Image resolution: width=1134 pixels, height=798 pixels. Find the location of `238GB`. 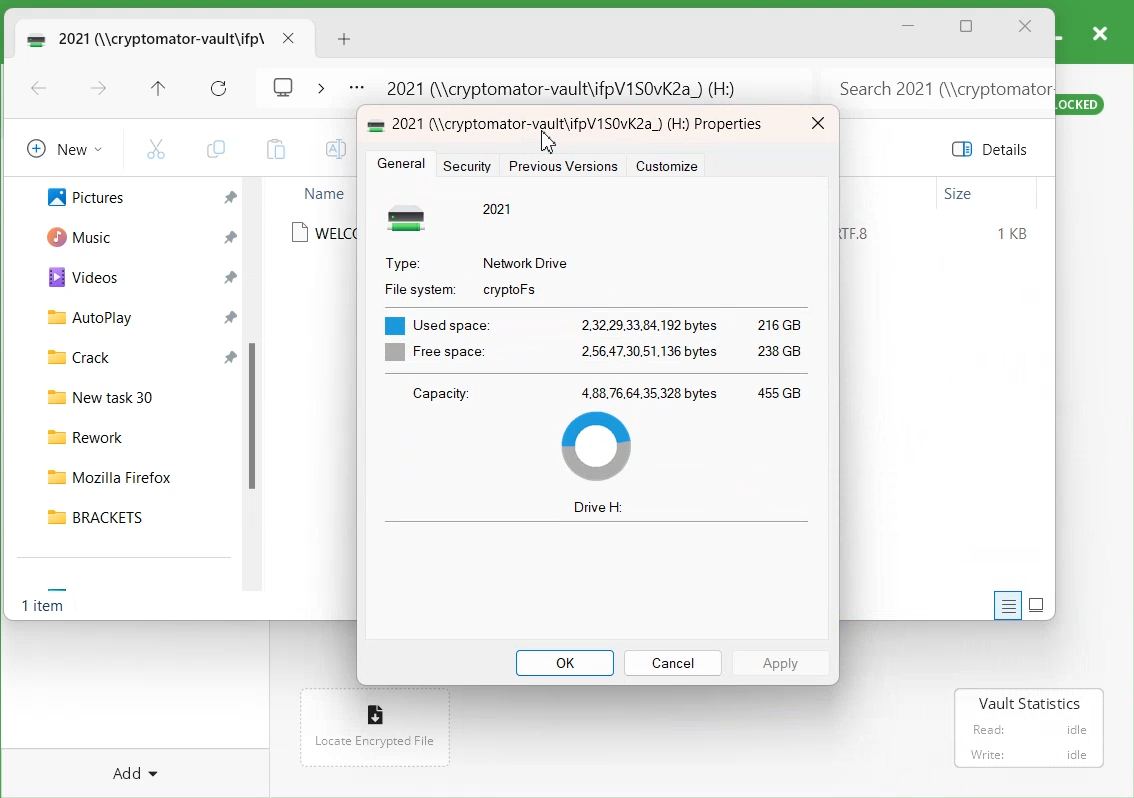

238GB is located at coordinates (782, 353).